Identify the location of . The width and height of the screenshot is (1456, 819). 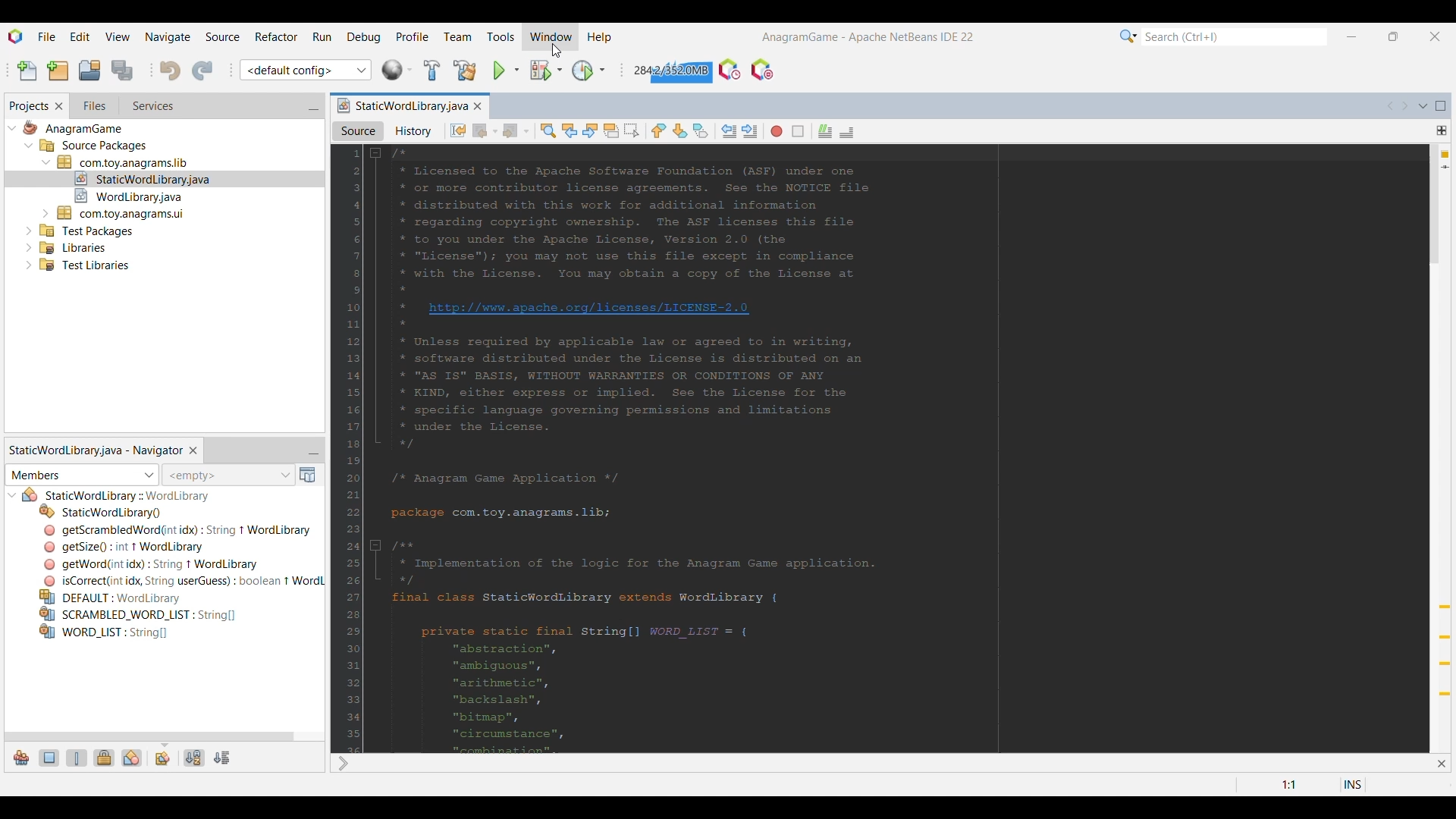
(181, 580).